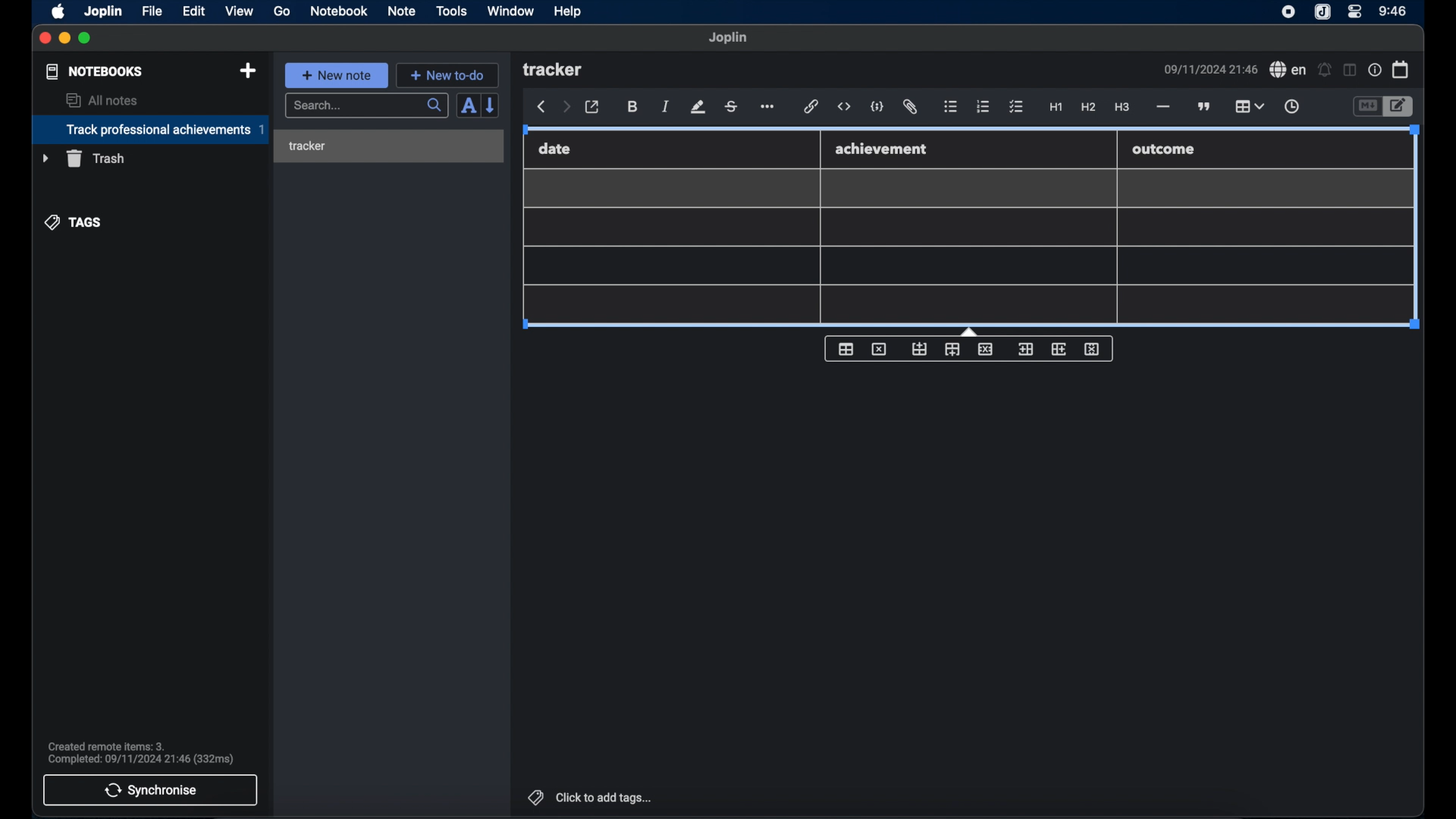  I want to click on new notebook, so click(248, 71).